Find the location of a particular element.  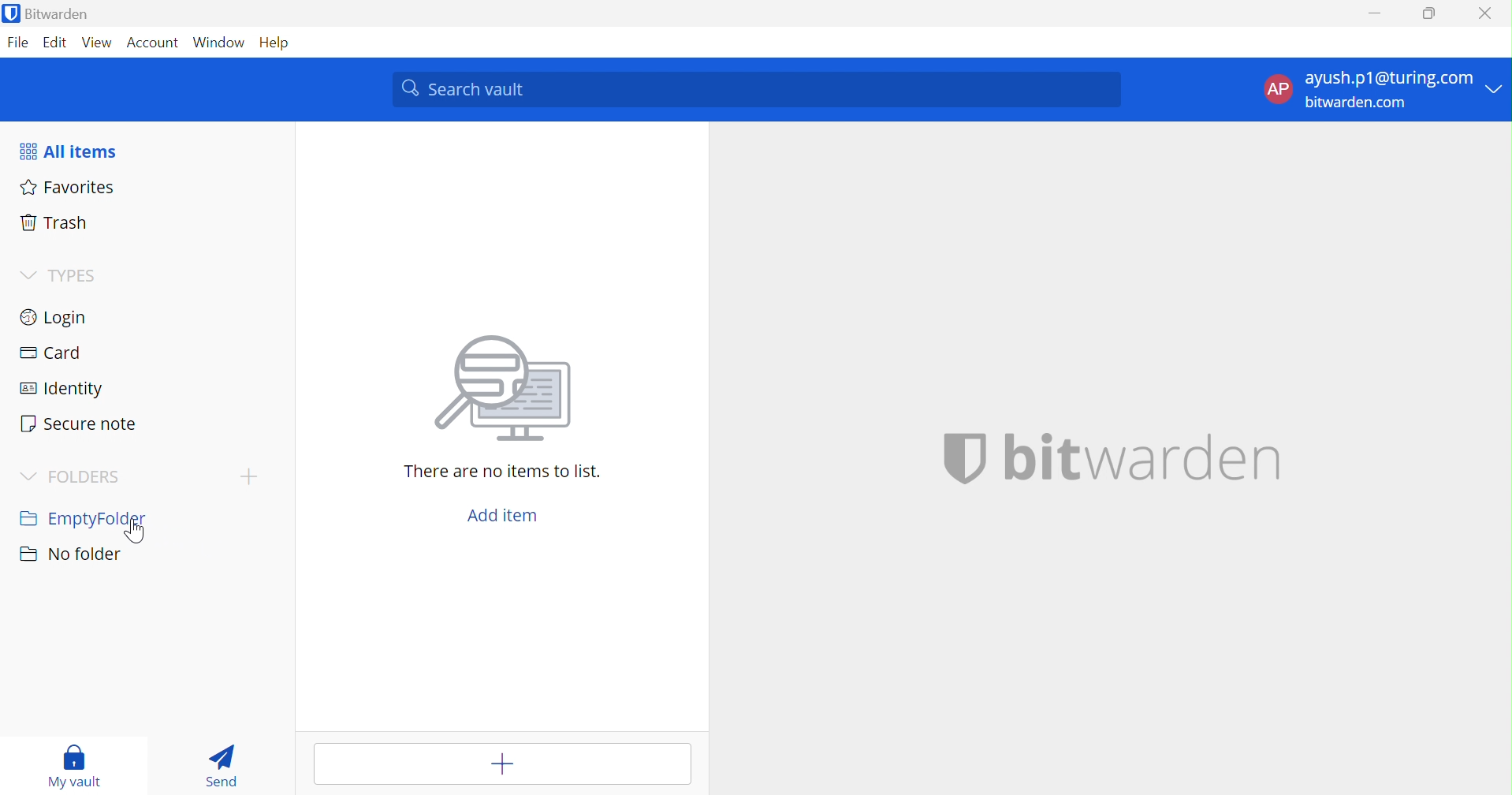

TYPES is located at coordinates (87, 277).